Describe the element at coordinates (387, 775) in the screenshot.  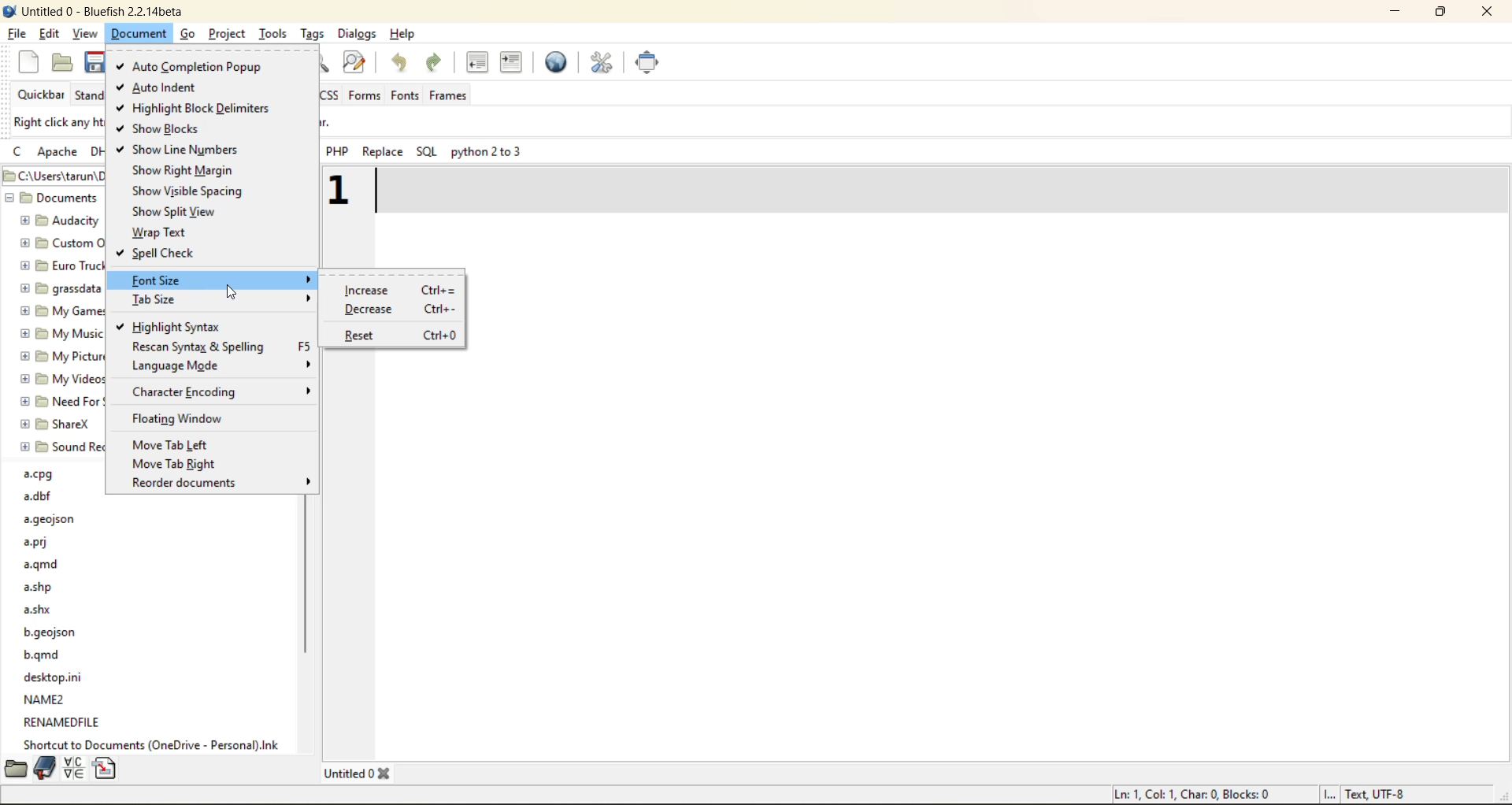
I see `Close` at that location.